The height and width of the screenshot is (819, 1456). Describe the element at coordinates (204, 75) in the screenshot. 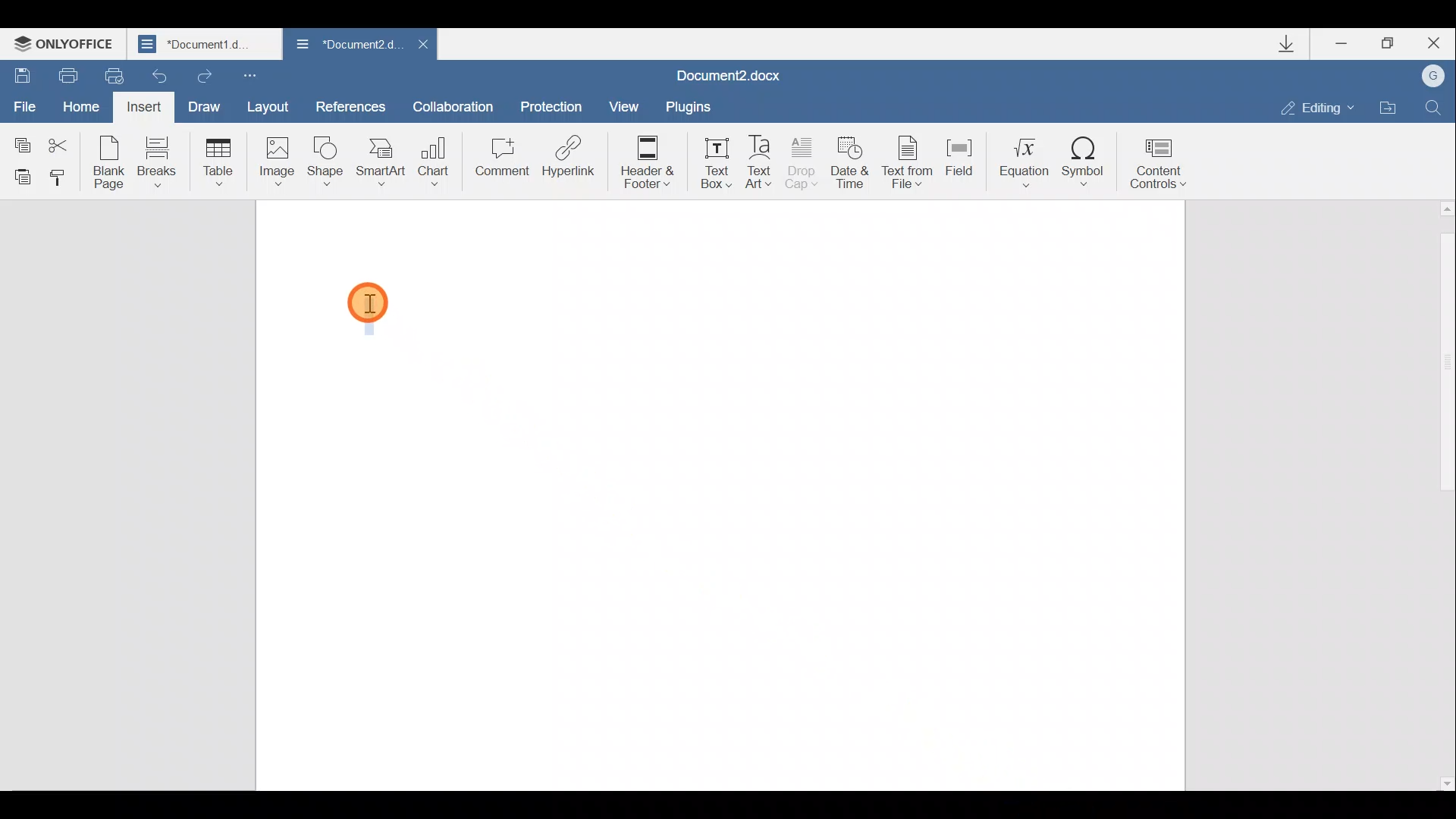

I see `Redo` at that location.